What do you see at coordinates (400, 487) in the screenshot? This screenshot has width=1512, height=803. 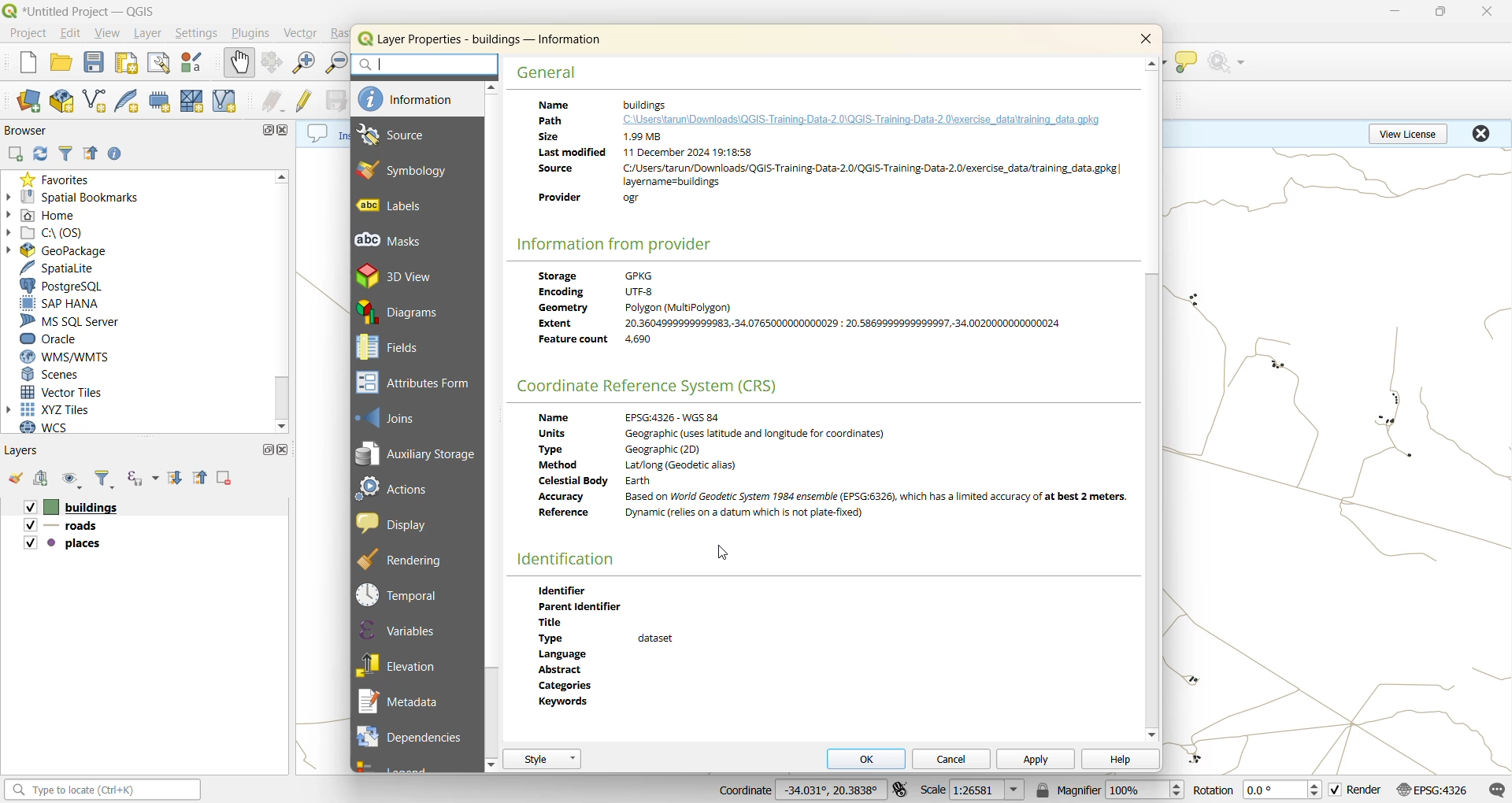 I see `actions` at bounding box center [400, 487].